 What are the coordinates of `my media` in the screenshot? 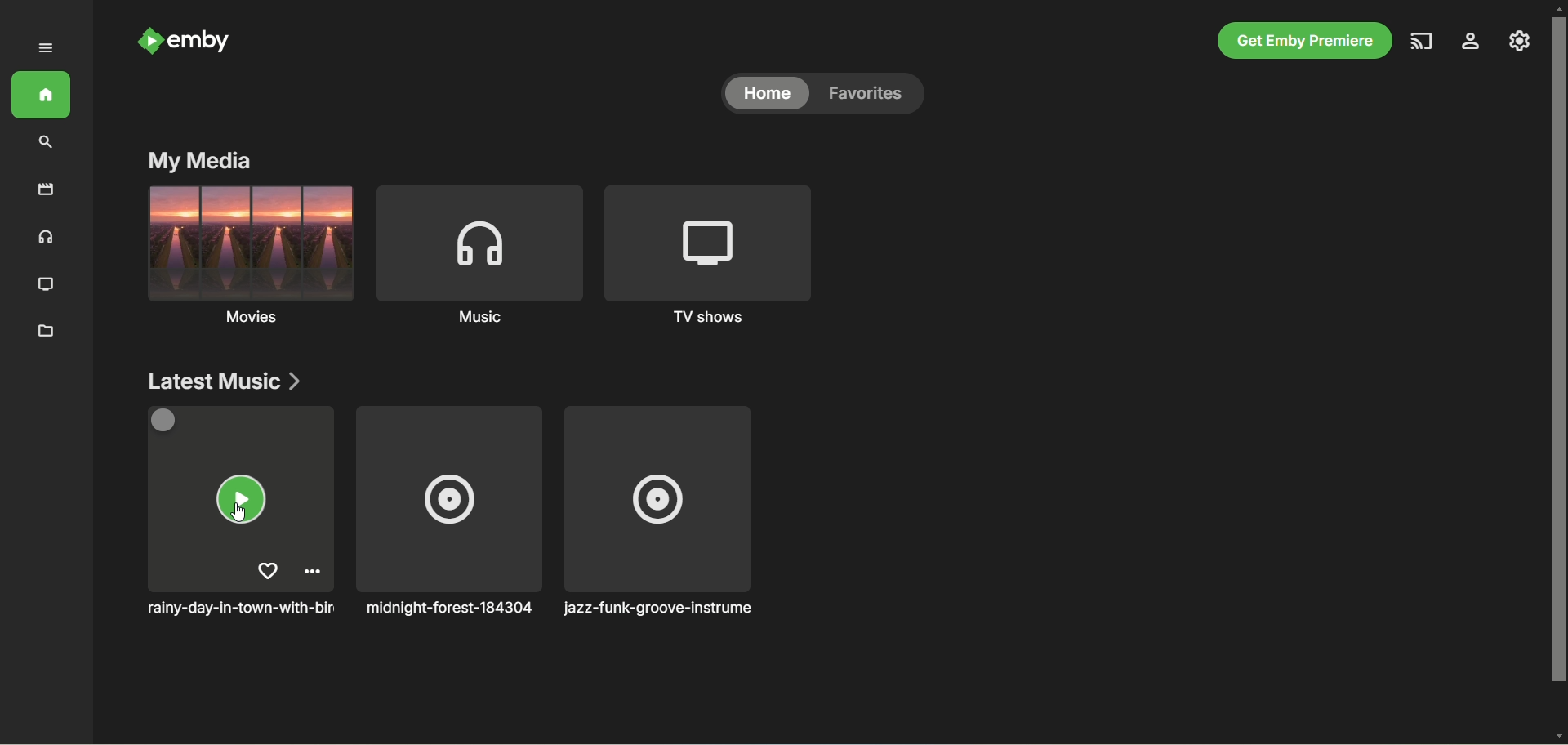 It's located at (199, 161).